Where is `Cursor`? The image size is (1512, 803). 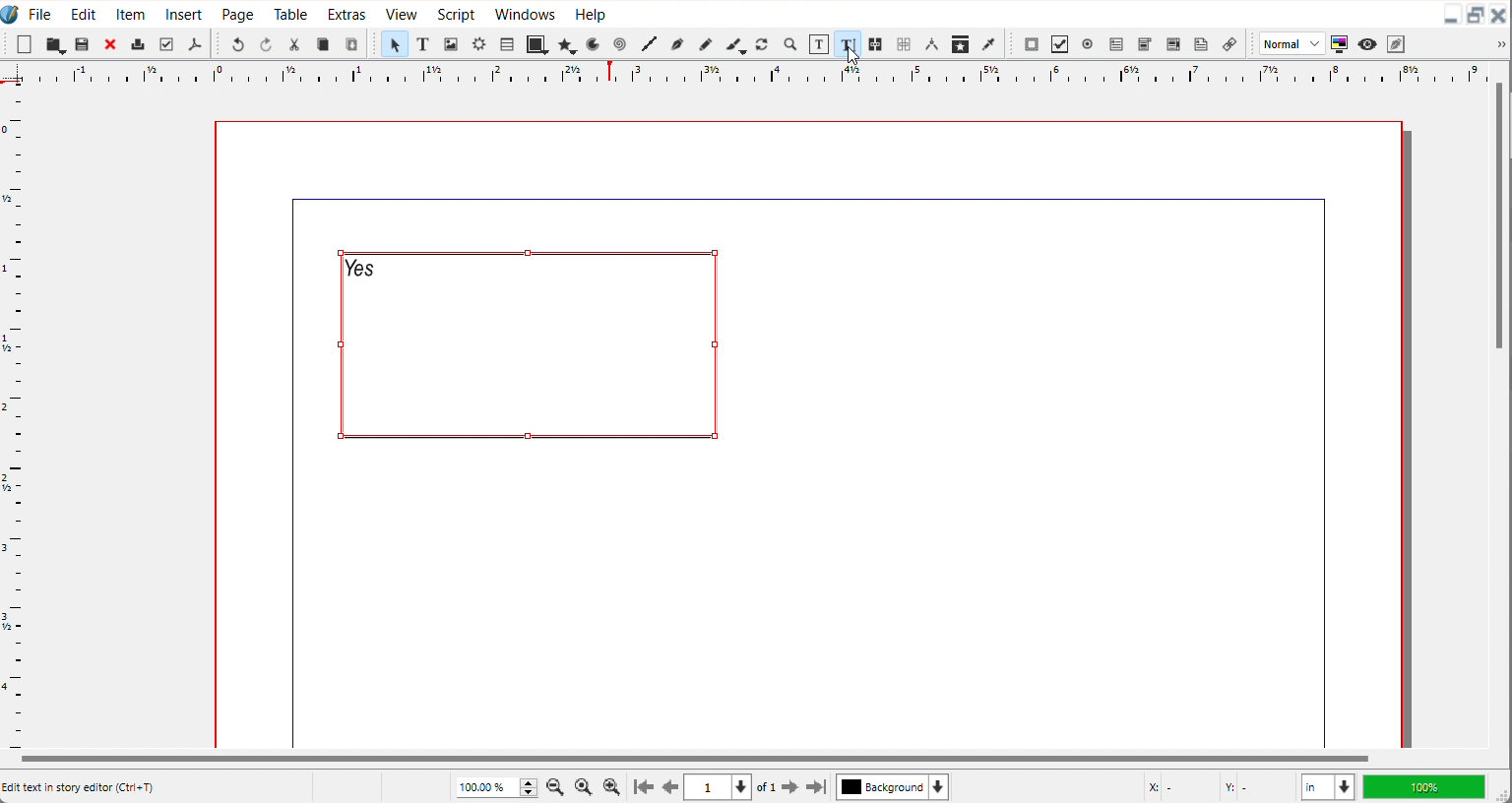 Cursor is located at coordinates (852, 57).